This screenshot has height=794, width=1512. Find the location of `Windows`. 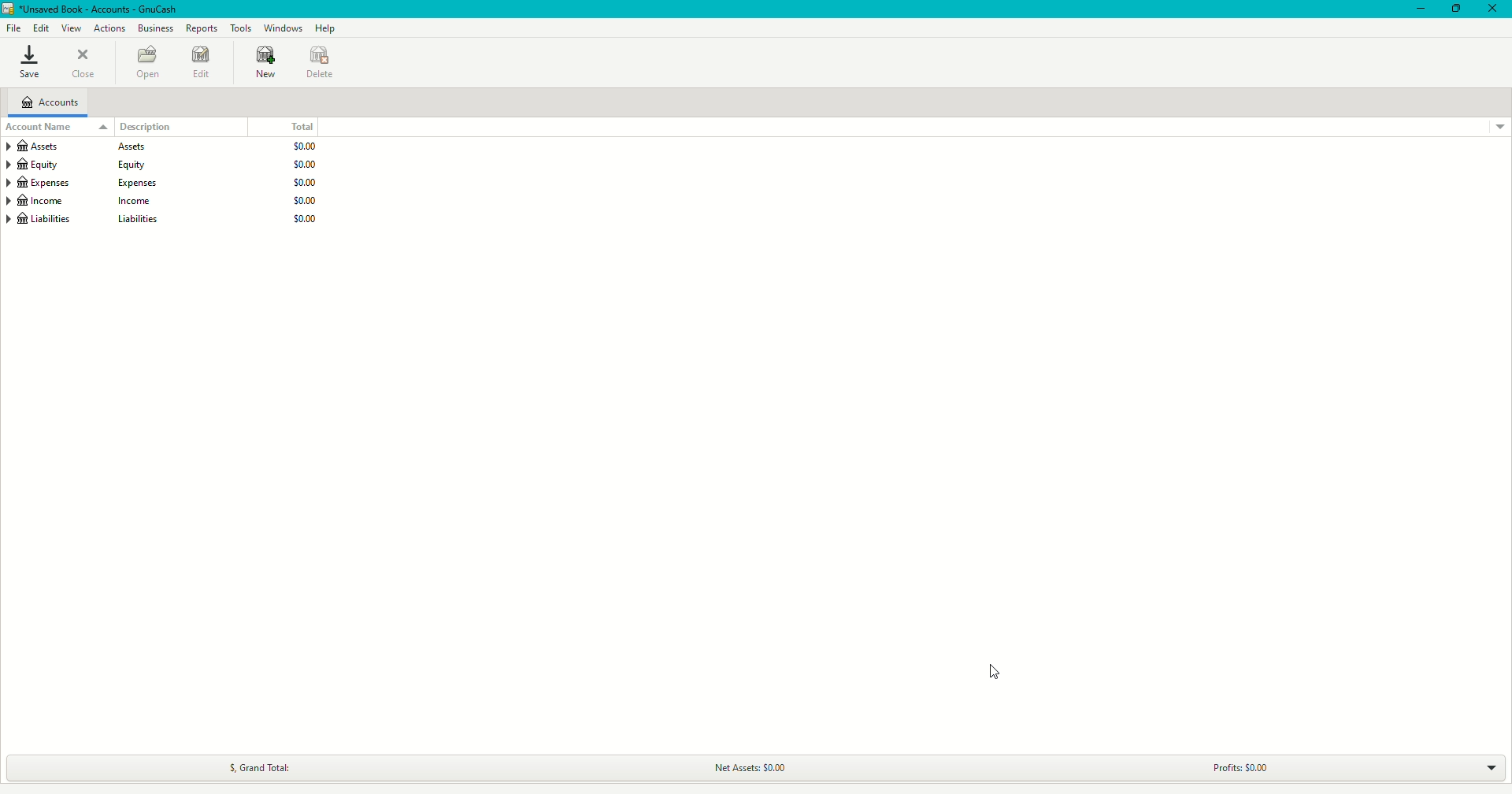

Windows is located at coordinates (282, 28).